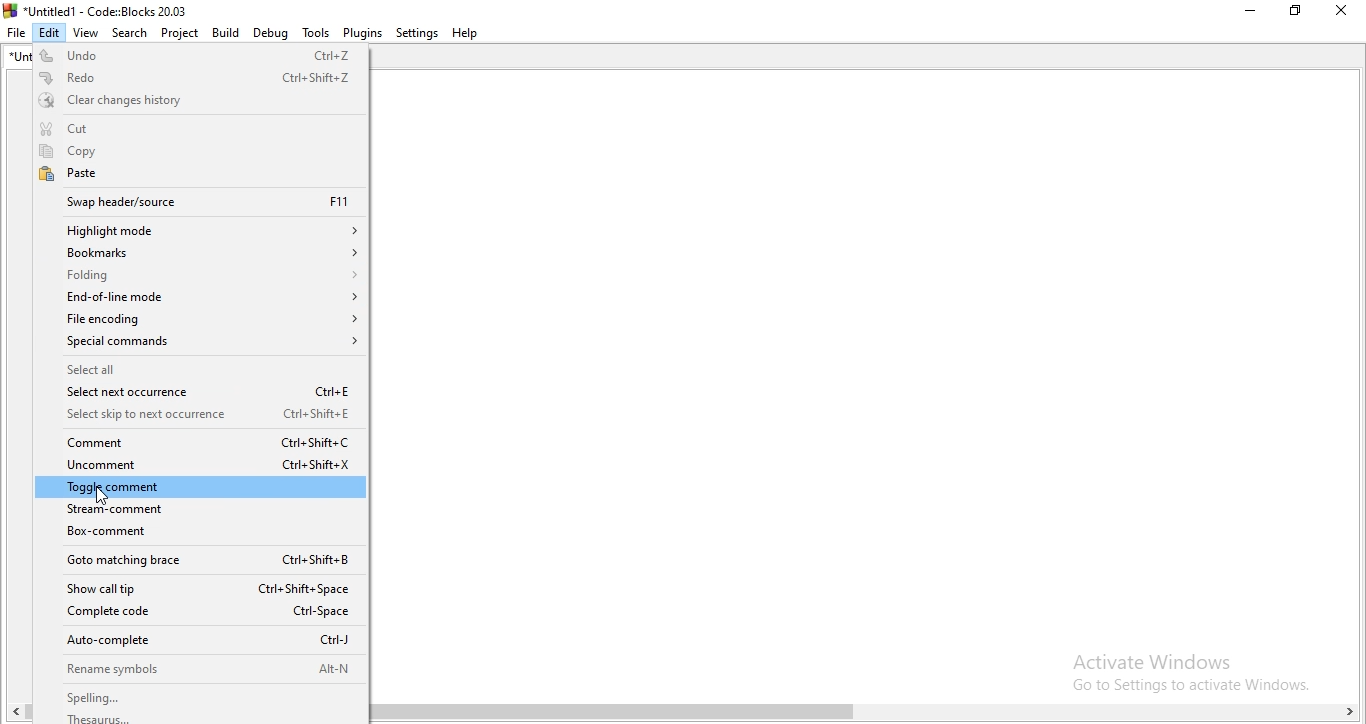 This screenshot has height=724, width=1366. I want to click on debug, so click(269, 33).